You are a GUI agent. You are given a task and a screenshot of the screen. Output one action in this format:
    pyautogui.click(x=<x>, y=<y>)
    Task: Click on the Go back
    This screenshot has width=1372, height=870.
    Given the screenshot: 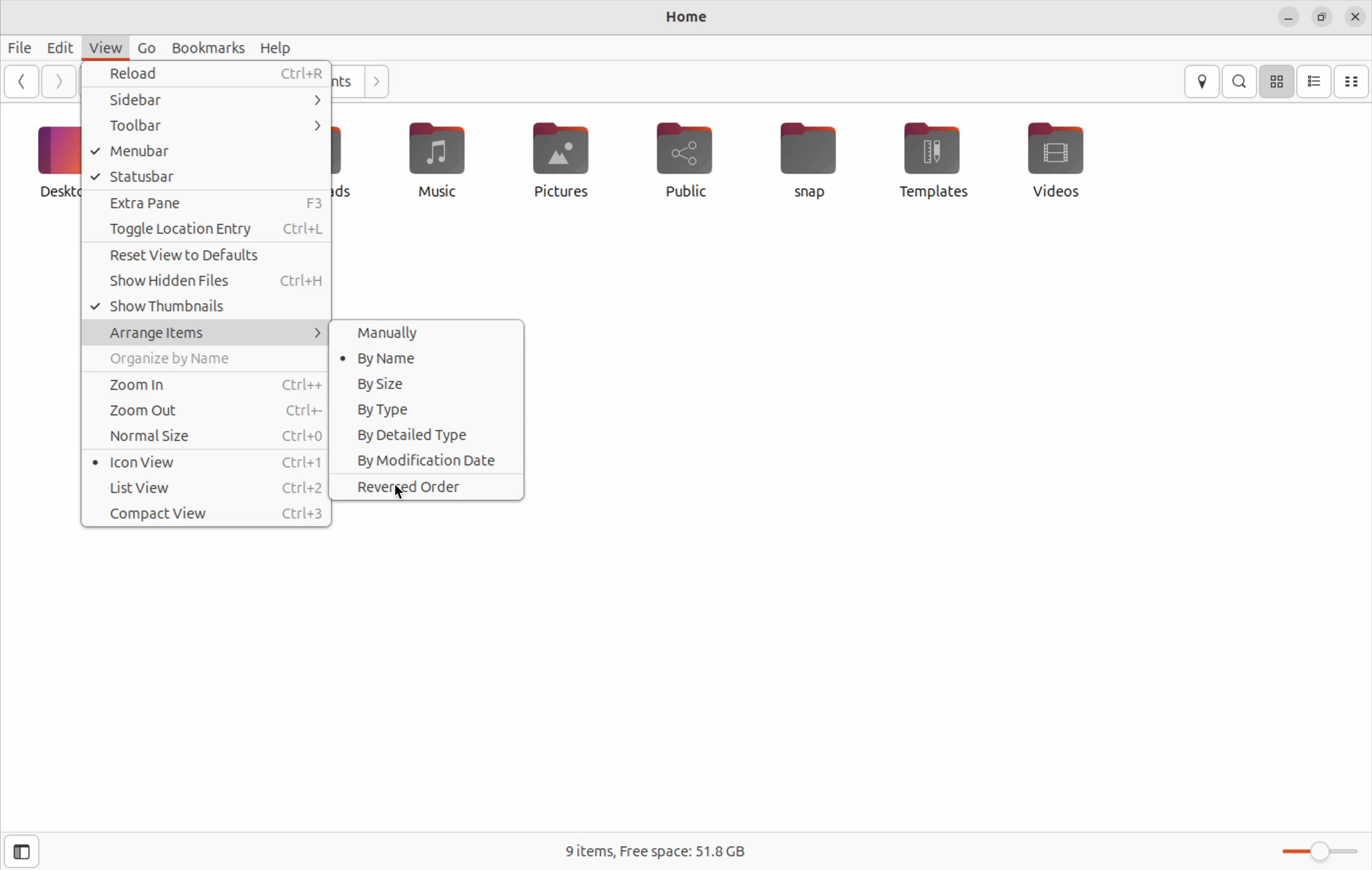 What is the action you would take?
    pyautogui.click(x=23, y=81)
    